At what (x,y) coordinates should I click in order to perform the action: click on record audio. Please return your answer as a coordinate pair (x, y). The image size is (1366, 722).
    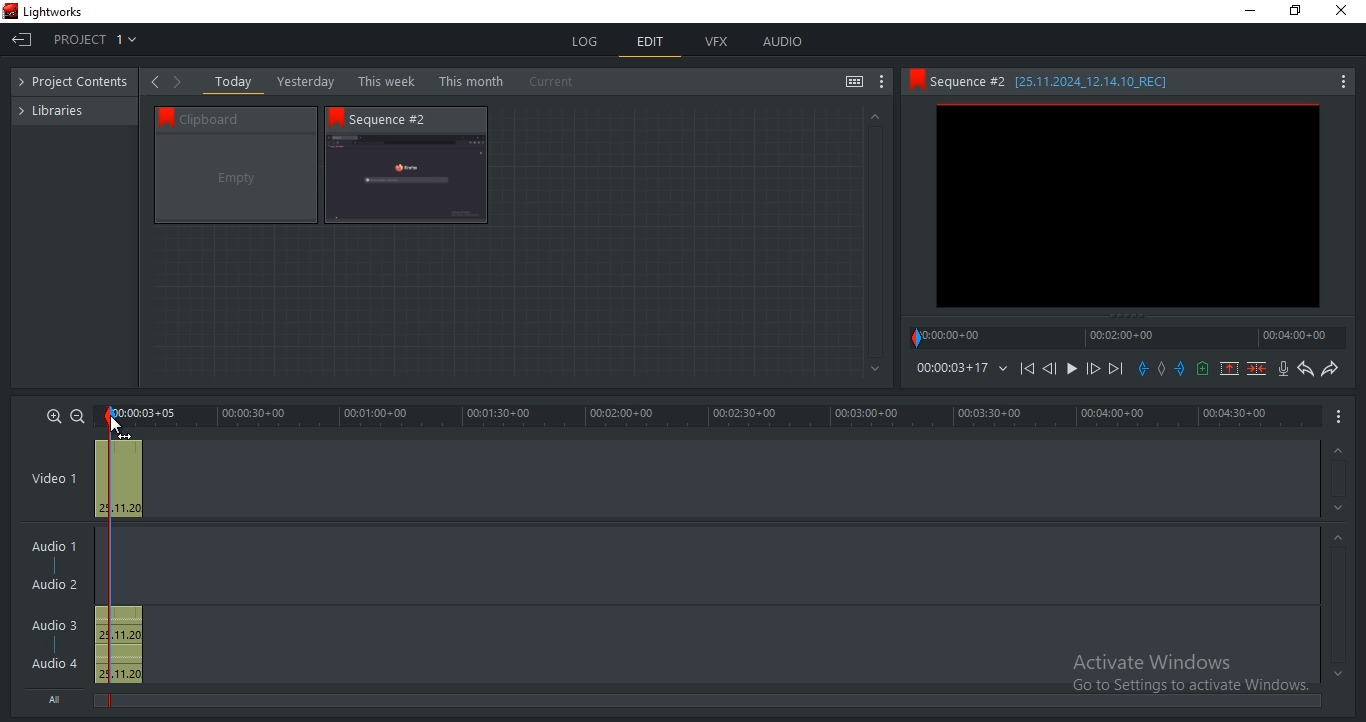
    Looking at the image, I should click on (1285, 369).